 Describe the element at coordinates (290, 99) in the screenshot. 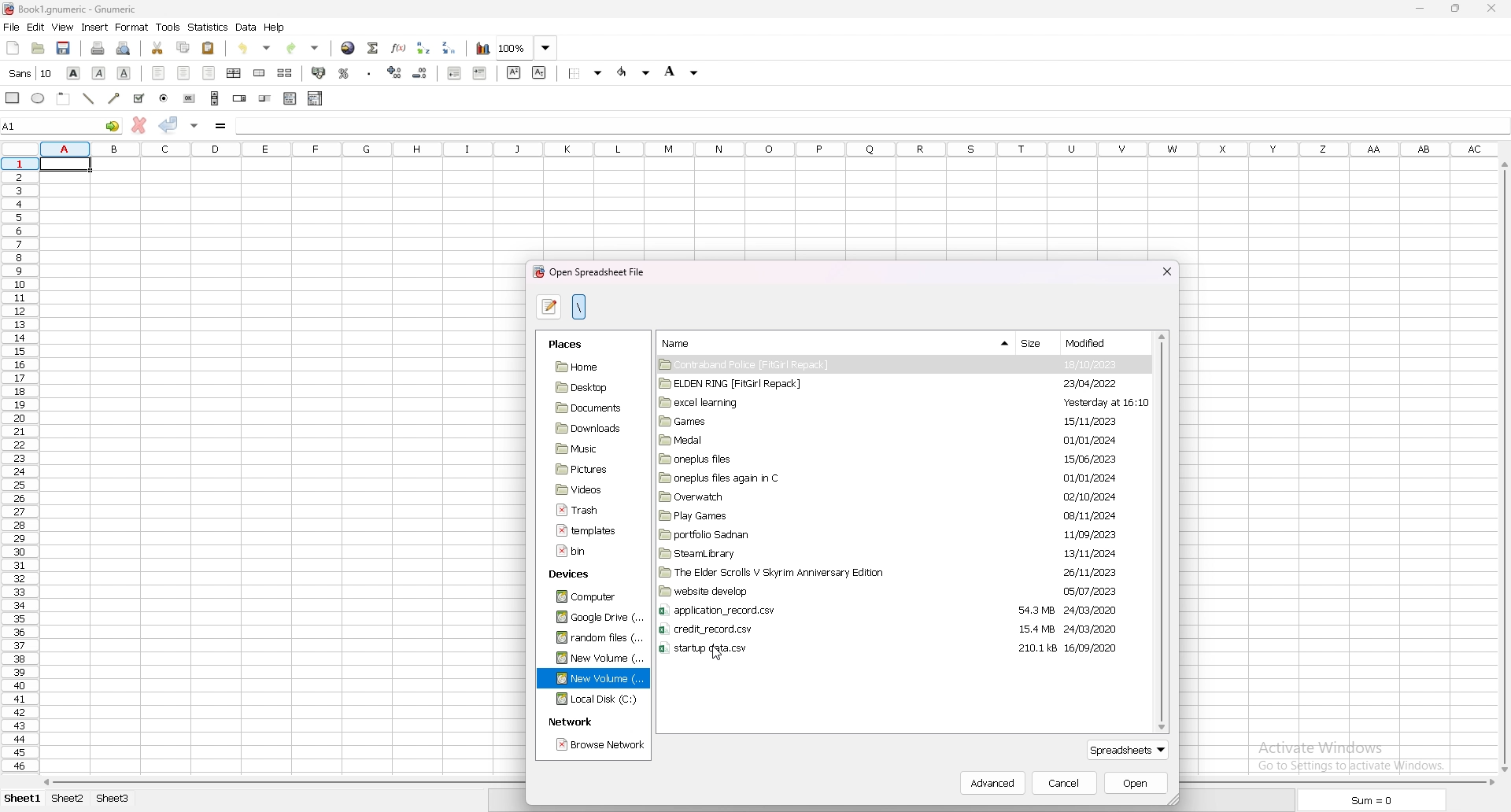

I see `list` at that location.